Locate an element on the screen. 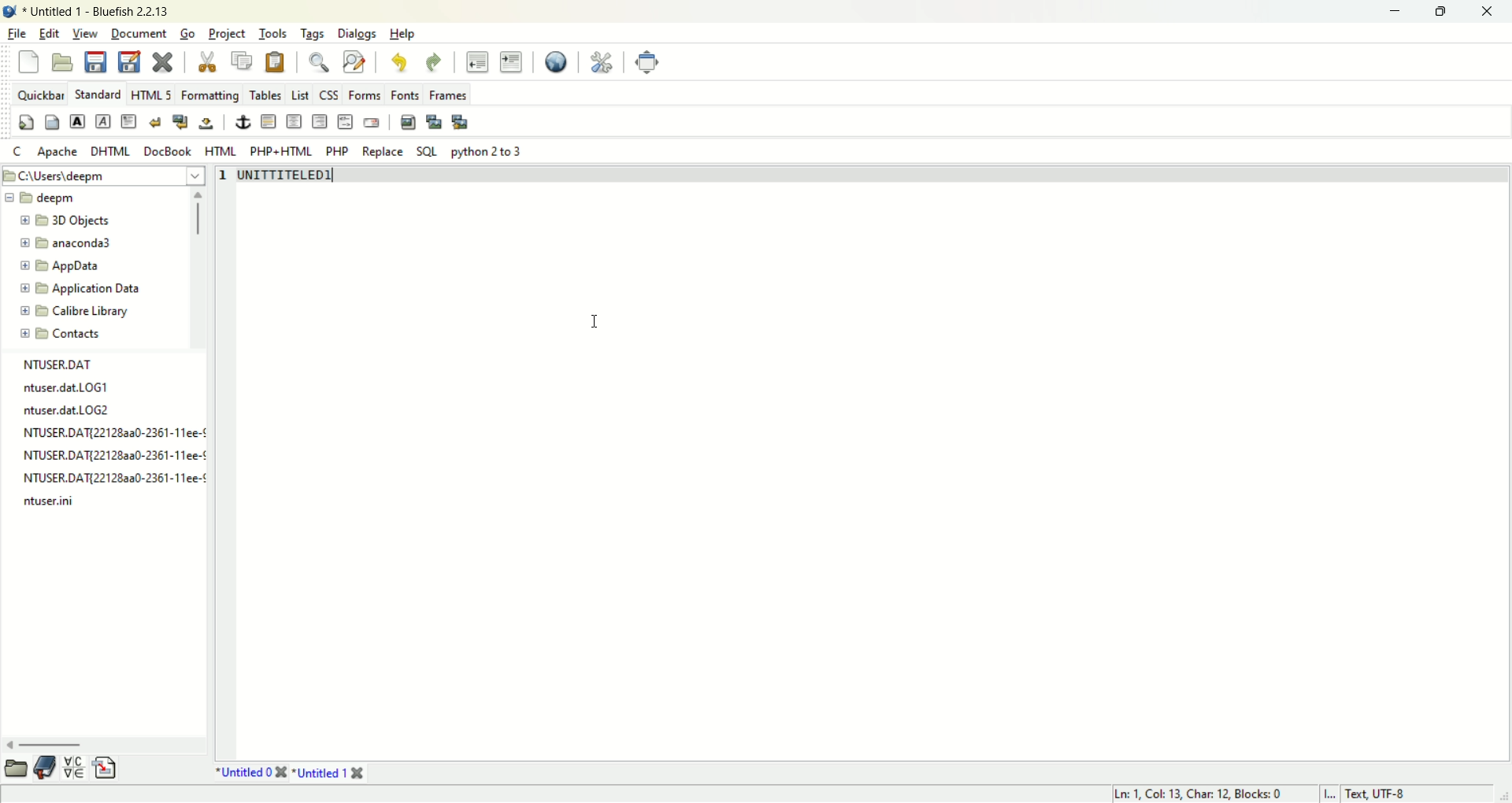 The width and height of the screenshot is (1512, 803). scroll bar is located at coordinates (198, 217).